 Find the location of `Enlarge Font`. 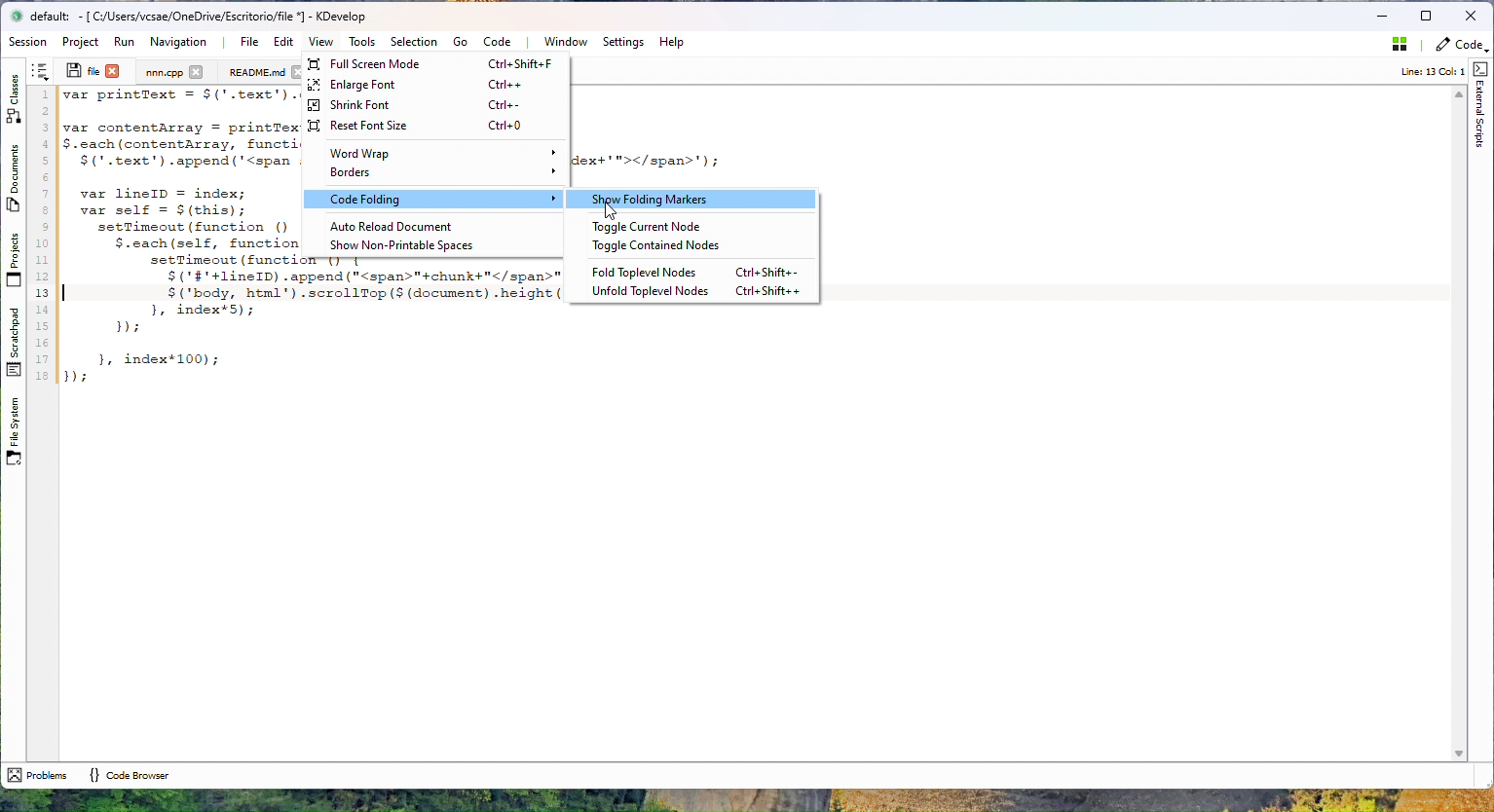

Enlarge Font is located at coordinates (430, 86).